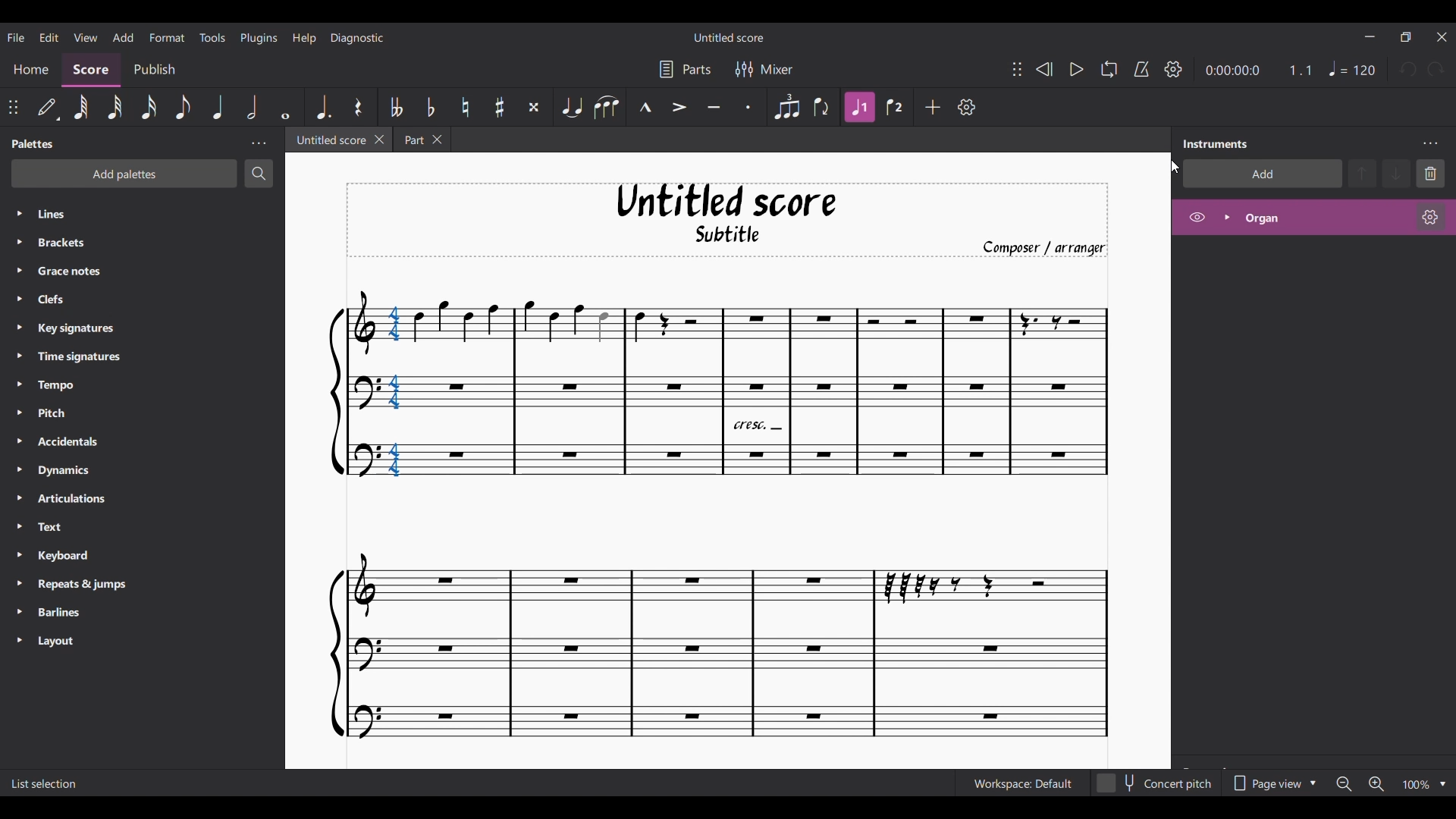 The height and width of the screenshot is (819, 1456). I want to click on Staccato, so click(749, 107).